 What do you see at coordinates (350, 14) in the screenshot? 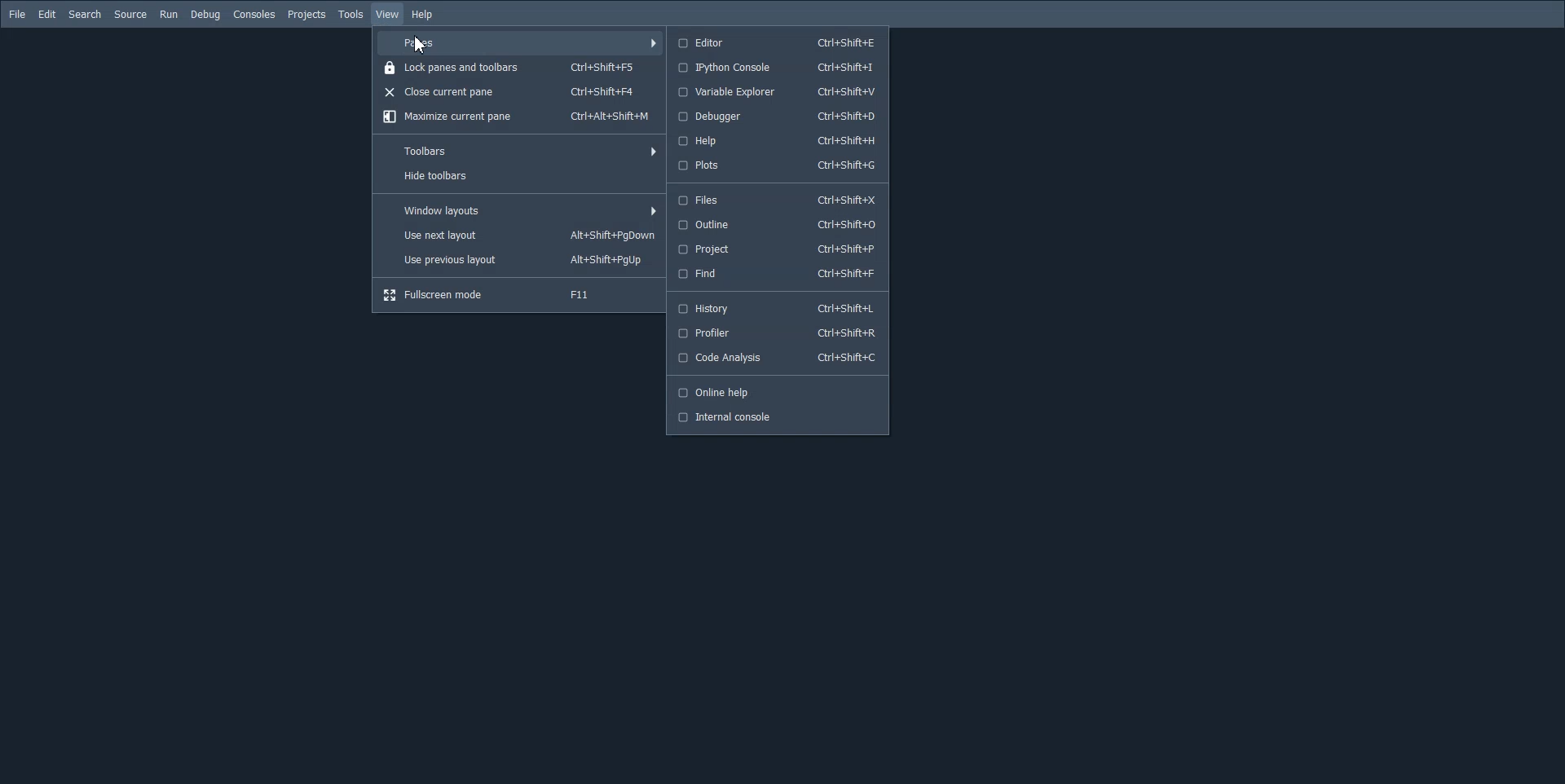
I see `Tools` at bounding box center [350, 14].